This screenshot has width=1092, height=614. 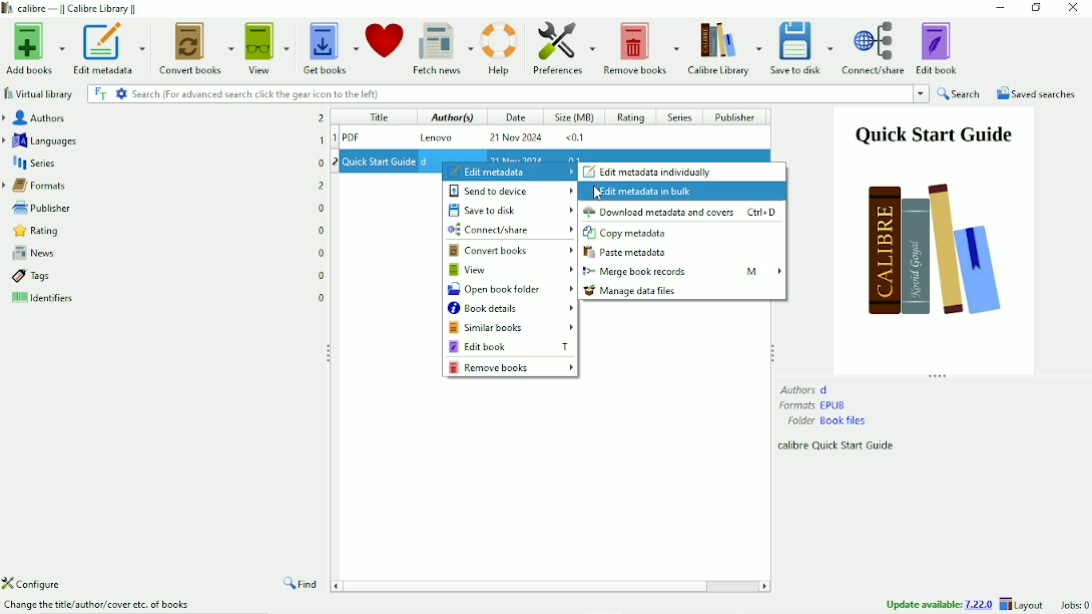 What do you see at coordinates (121, 93) in the screenshot?
I see `Advanced search` at bounding box center [121, 93].